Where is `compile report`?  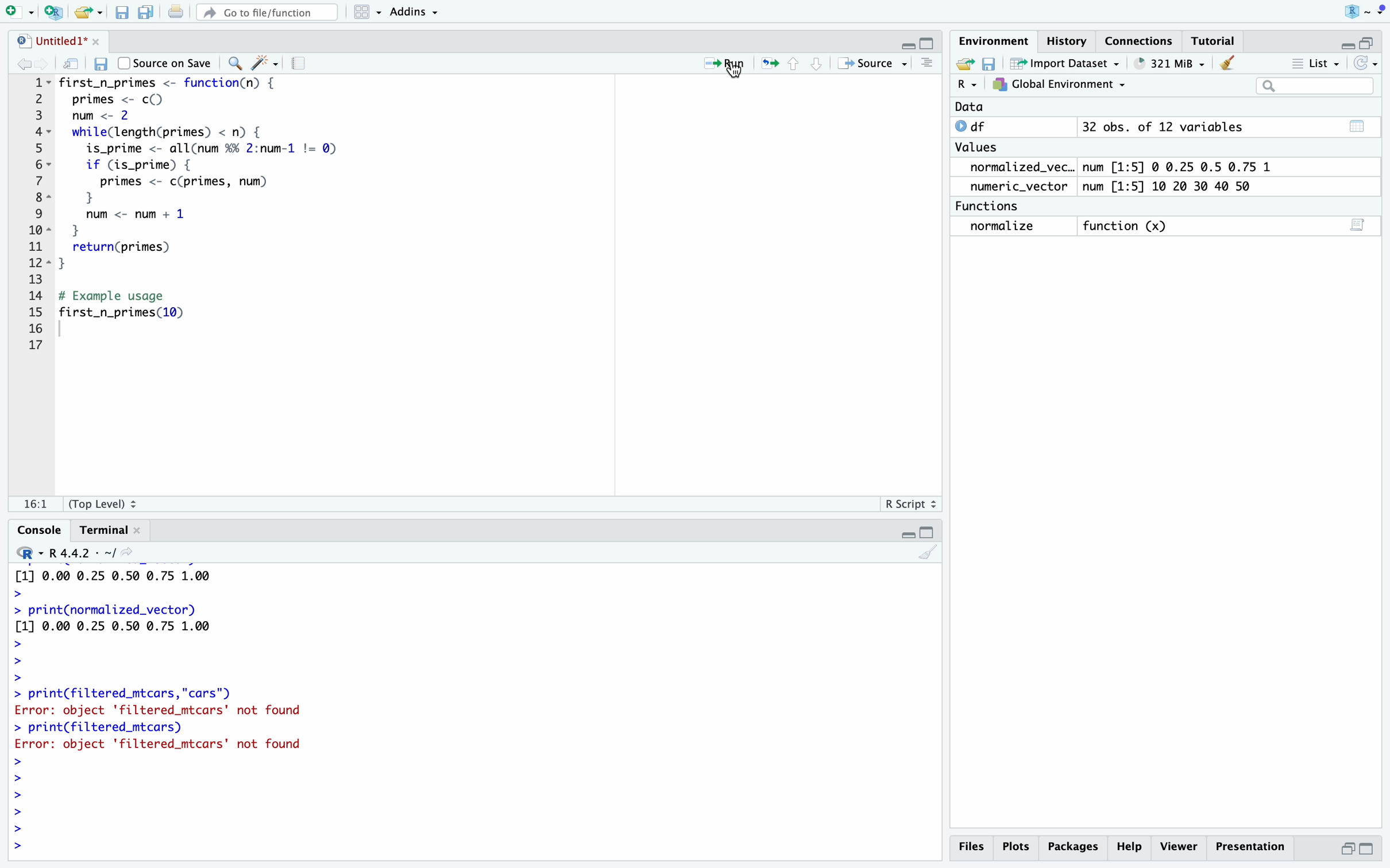 compile report is located at coordinates (305, 65).